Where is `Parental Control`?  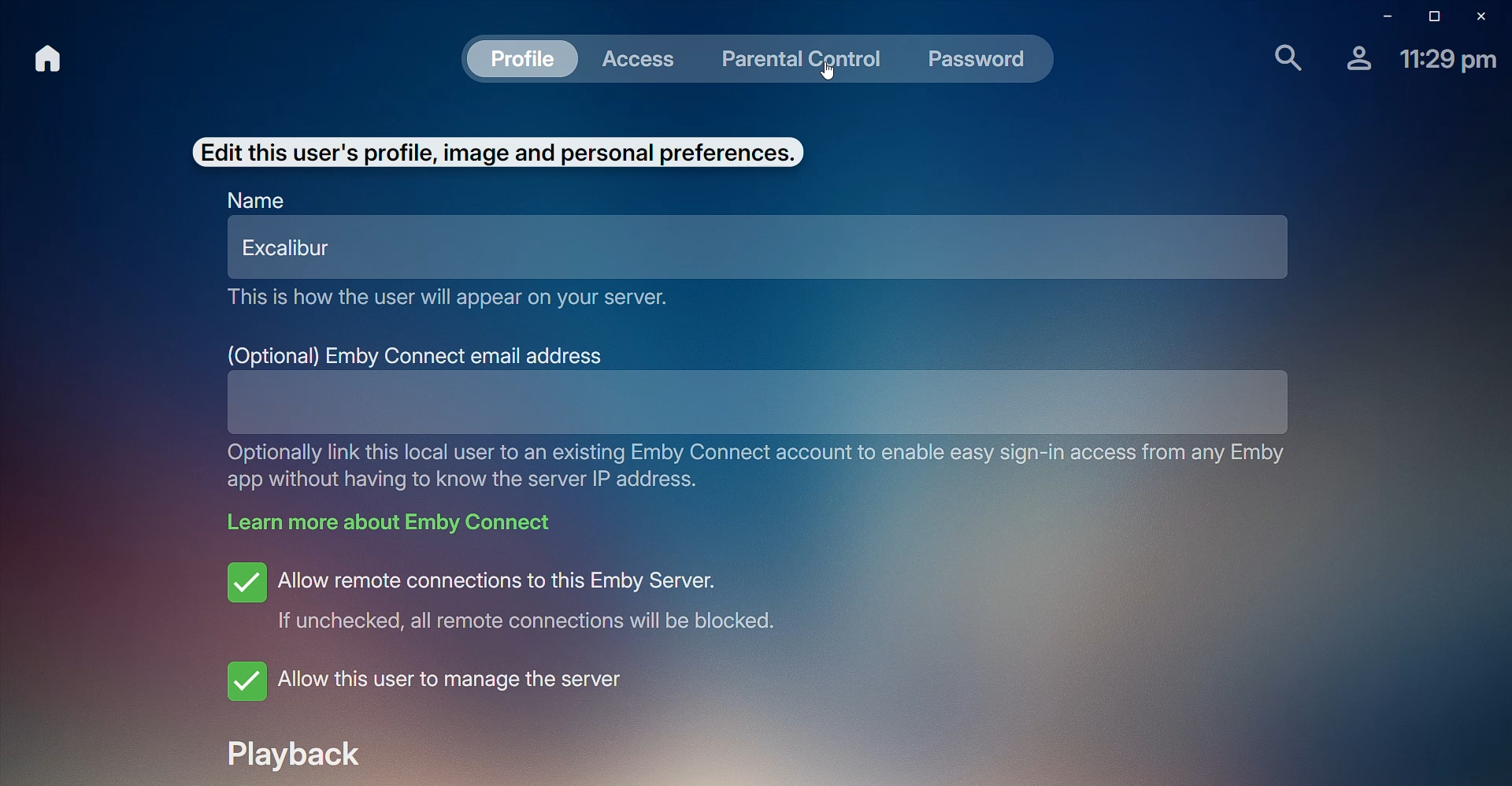
Parental Control is located at coordinates (805, 60).